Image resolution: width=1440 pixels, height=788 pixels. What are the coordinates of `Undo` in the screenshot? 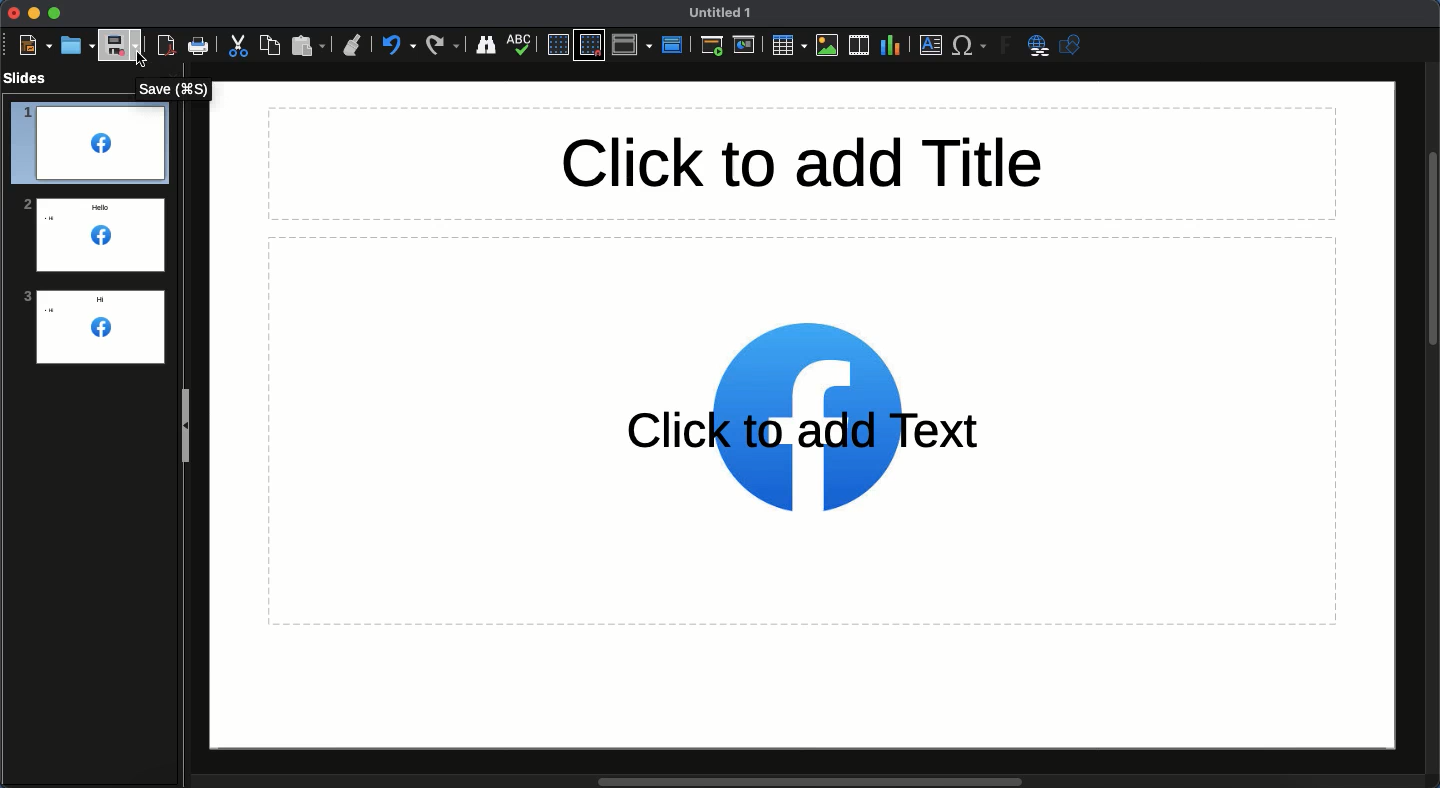 It's located at (399, 45).